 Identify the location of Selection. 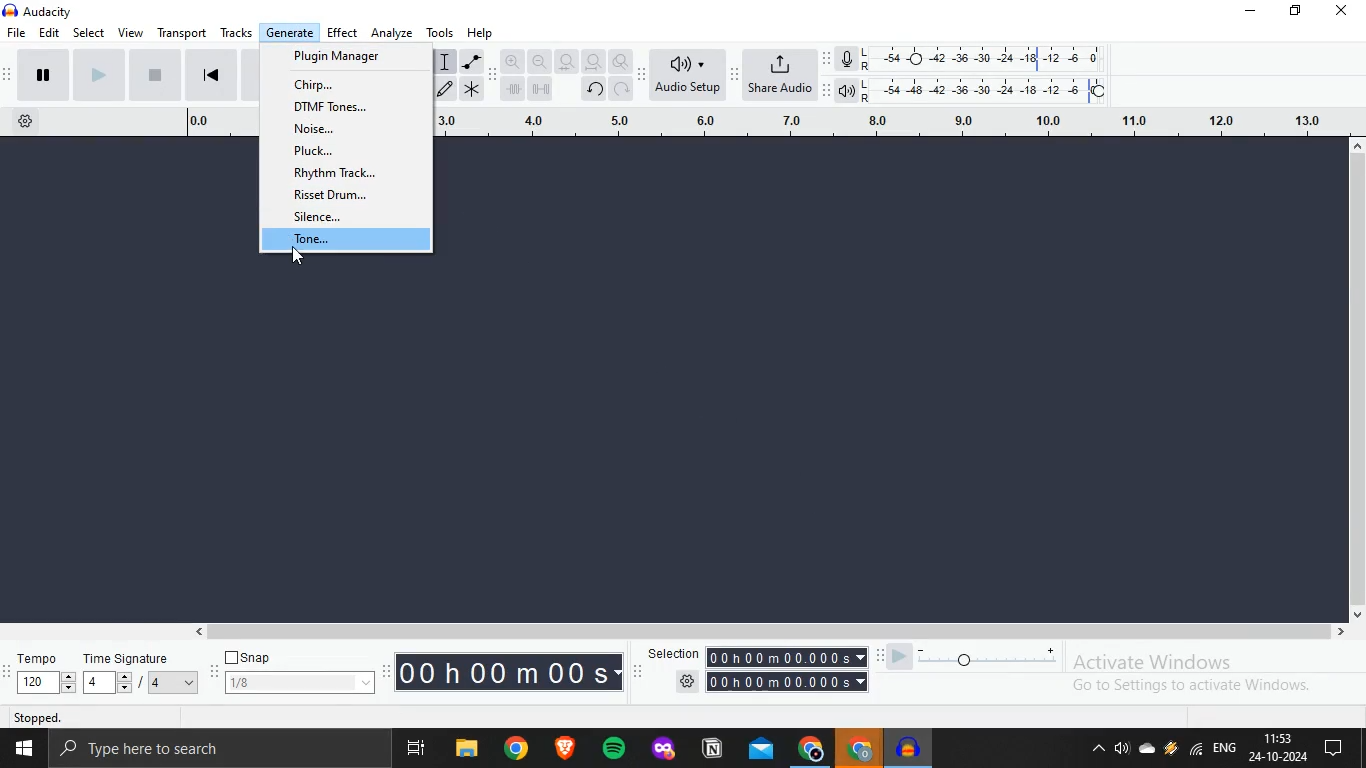
(755, 658).